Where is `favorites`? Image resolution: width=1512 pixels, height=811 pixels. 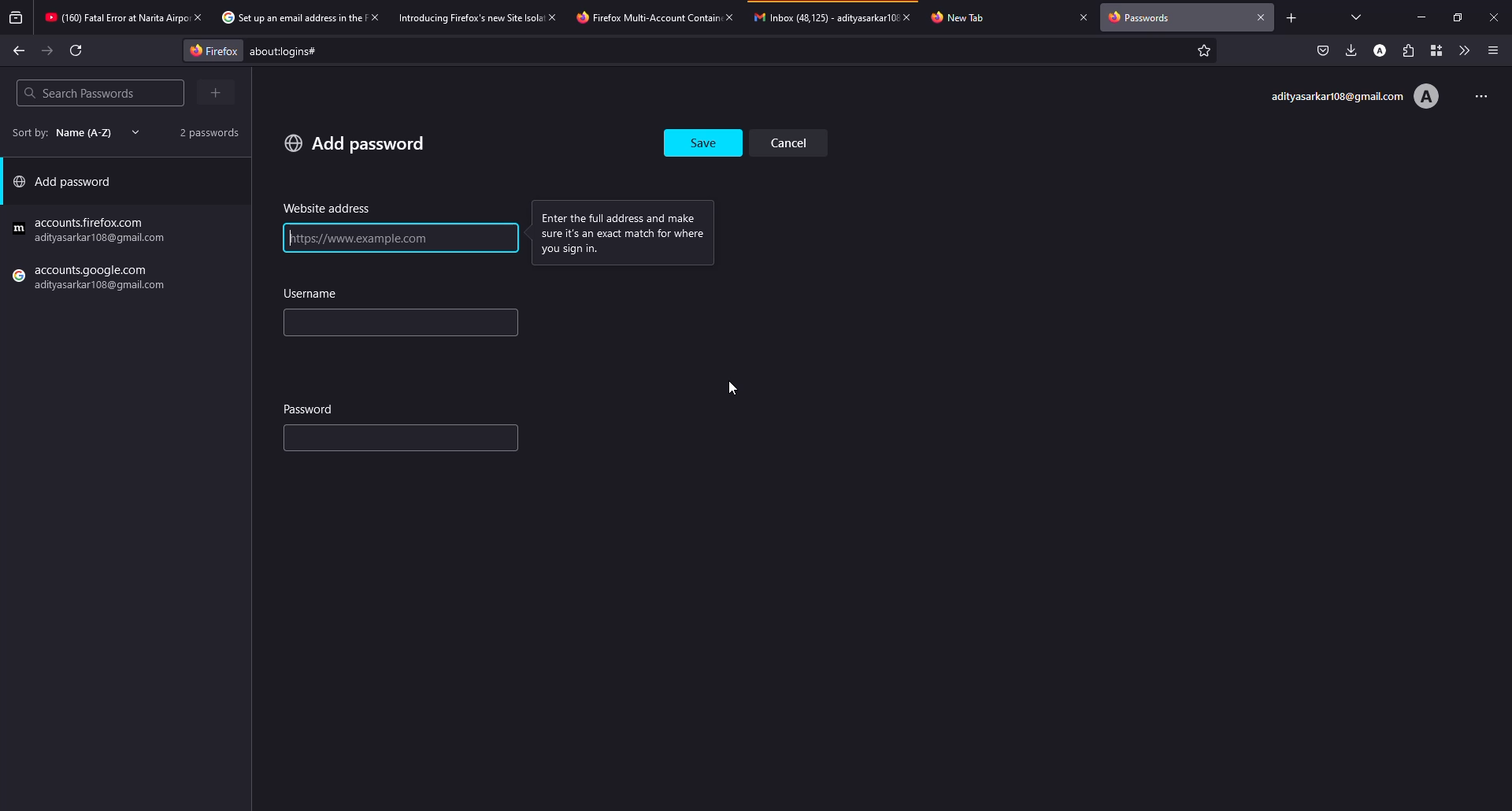
favorites is located at coordinates (1202, 52).